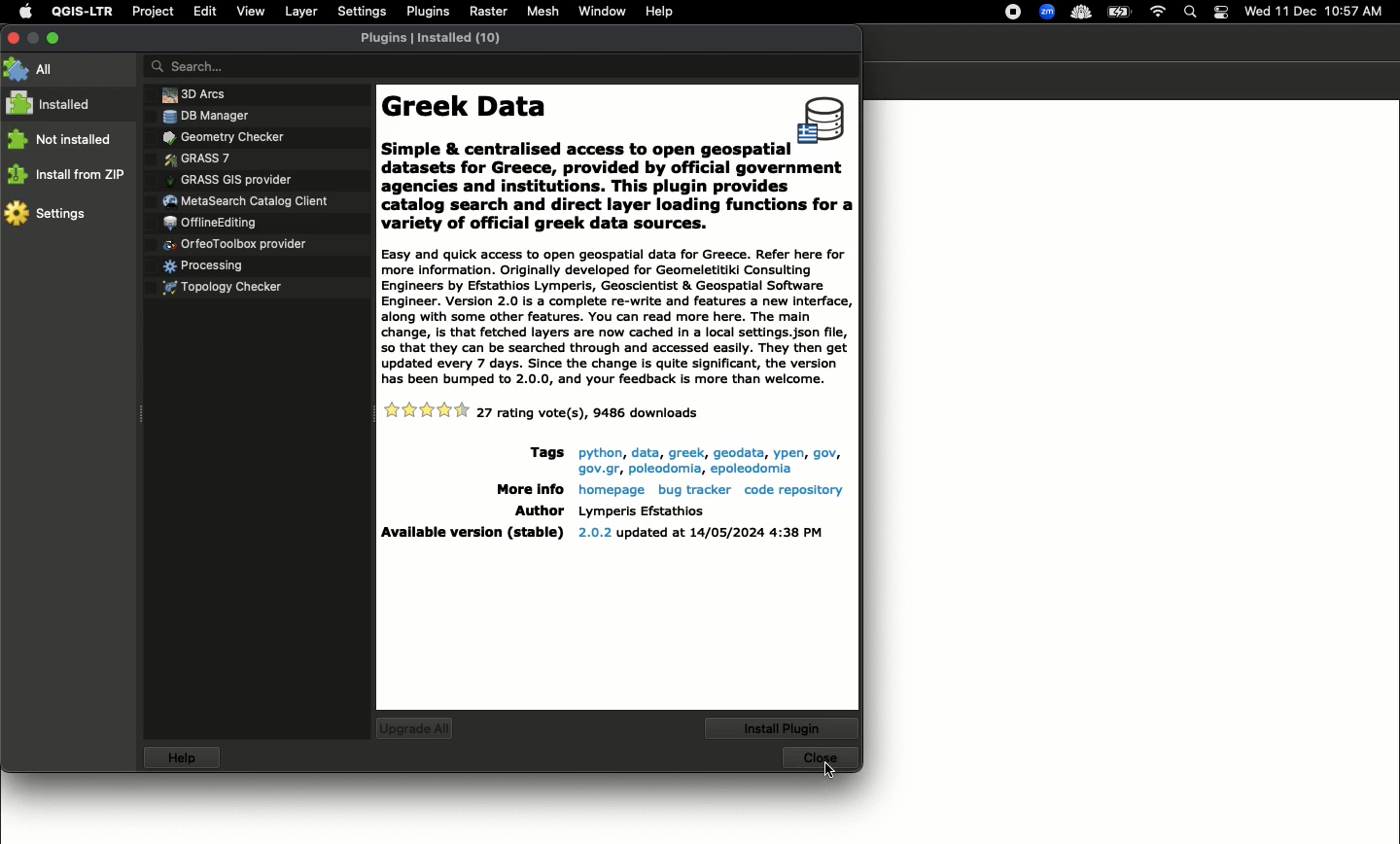 This screenshot has height=844, width=1400. I want to click on Plugins, so click(427, 10).